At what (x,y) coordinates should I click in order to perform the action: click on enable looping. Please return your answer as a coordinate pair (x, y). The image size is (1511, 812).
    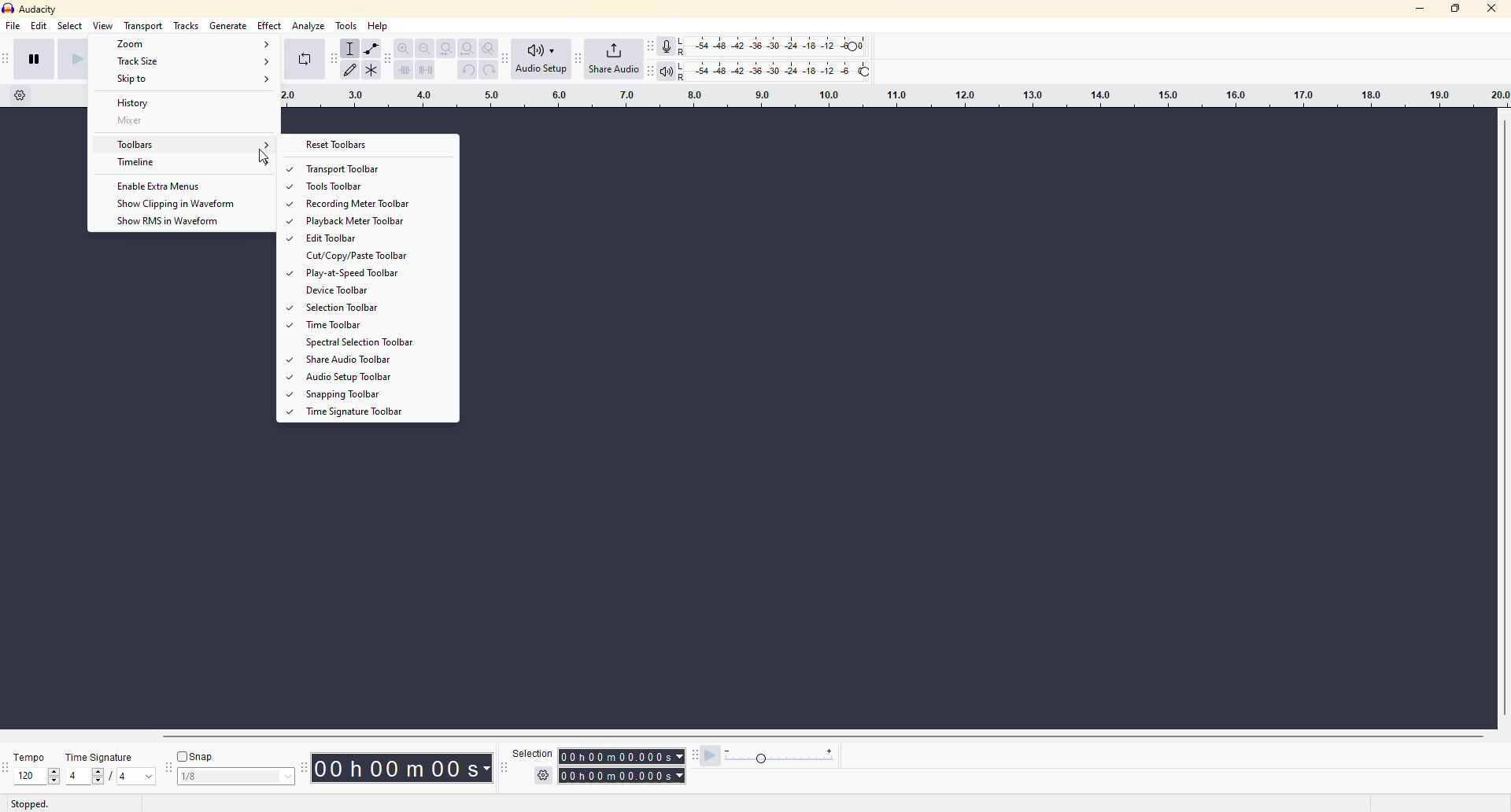
    Looking at the image, I should click on (303, 58).